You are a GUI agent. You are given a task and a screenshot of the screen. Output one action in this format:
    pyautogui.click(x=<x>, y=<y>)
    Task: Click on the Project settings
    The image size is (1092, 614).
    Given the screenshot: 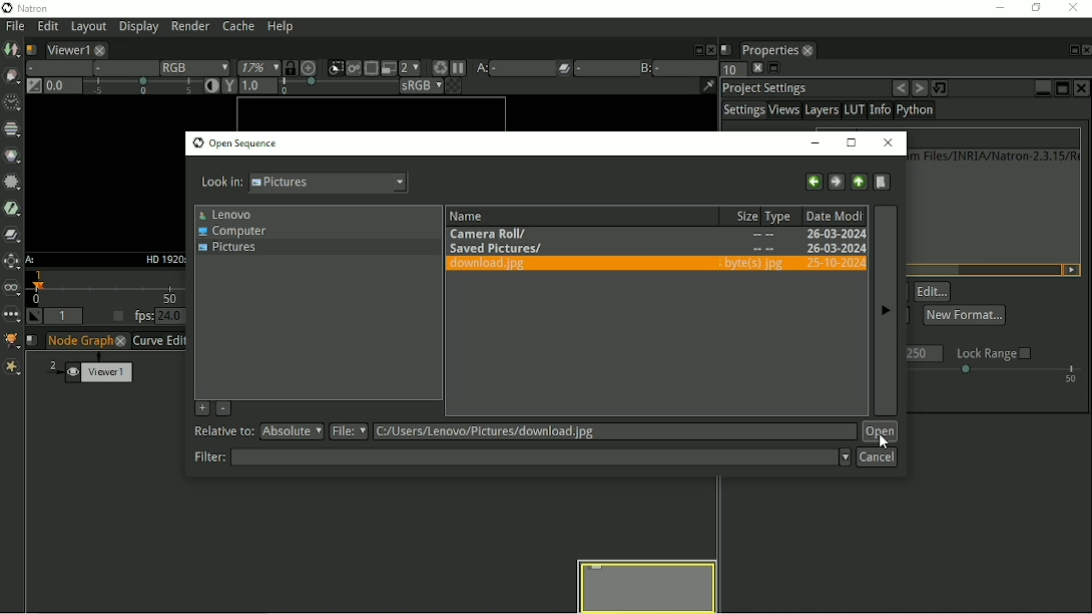 What is the action you would take?
    pyautogui.click(x=766, y=87)
    